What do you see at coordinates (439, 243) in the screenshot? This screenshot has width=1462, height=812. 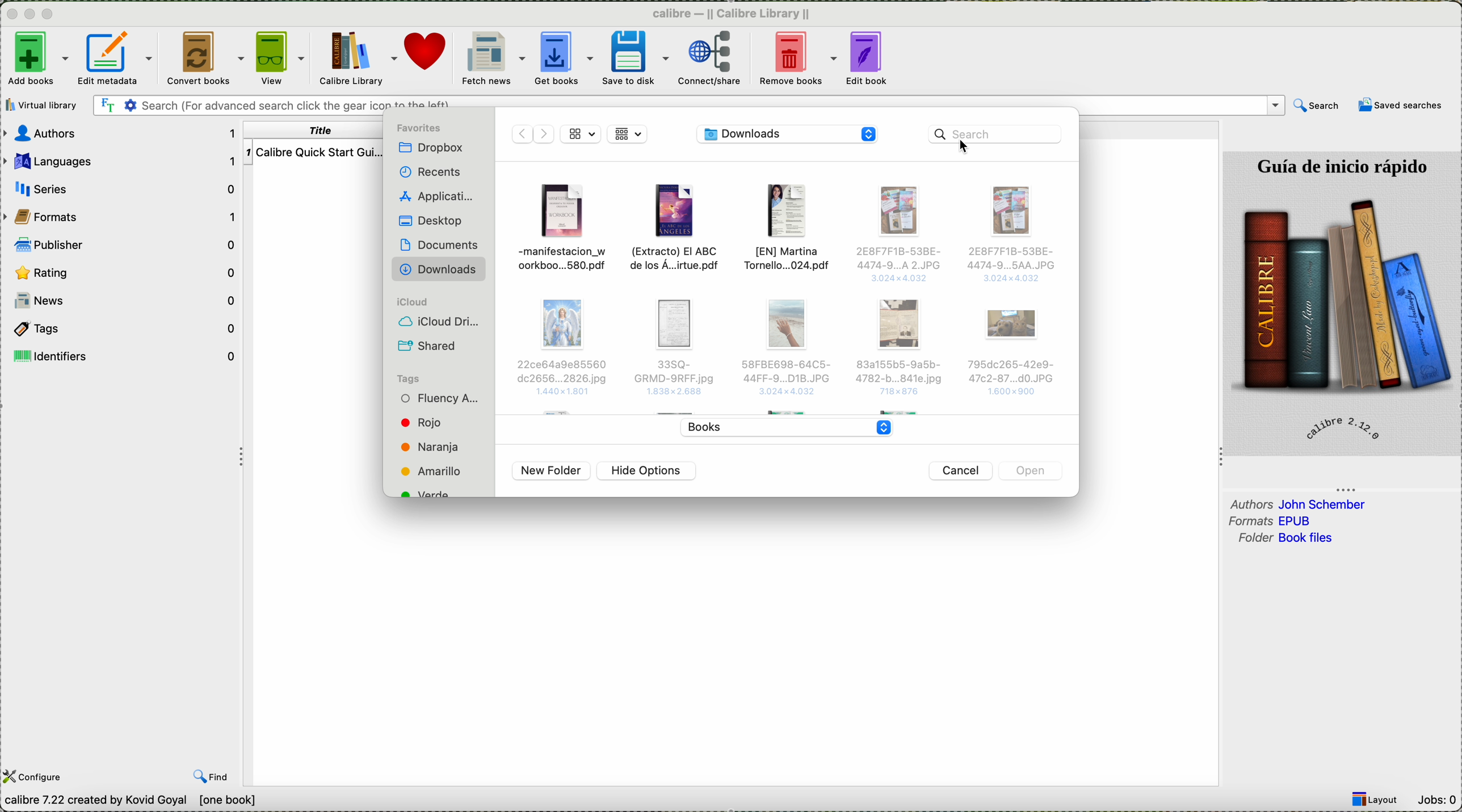 I see `documents` at bounding box center [439, 243].